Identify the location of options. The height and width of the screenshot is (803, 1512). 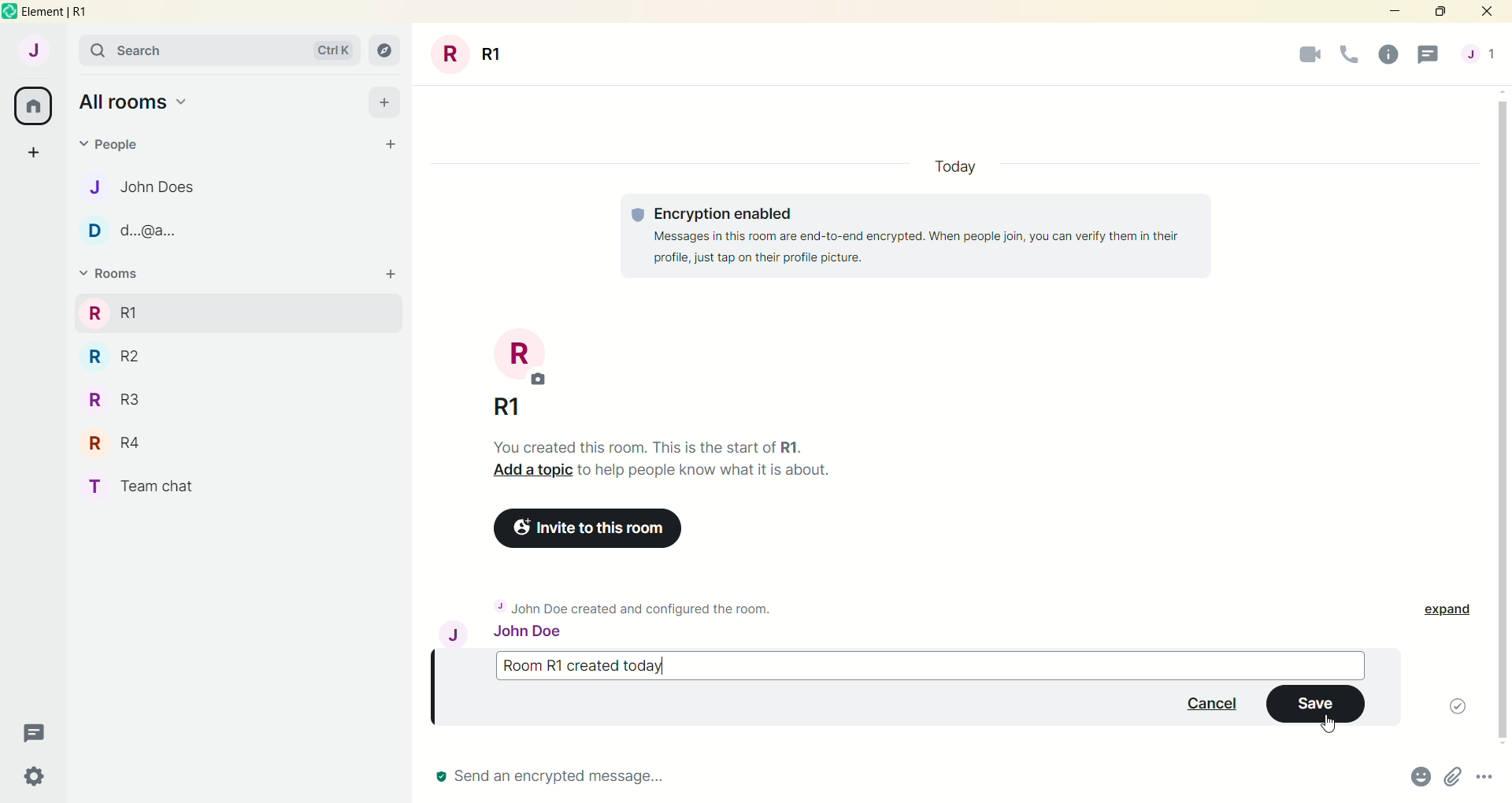
(1487, 779).